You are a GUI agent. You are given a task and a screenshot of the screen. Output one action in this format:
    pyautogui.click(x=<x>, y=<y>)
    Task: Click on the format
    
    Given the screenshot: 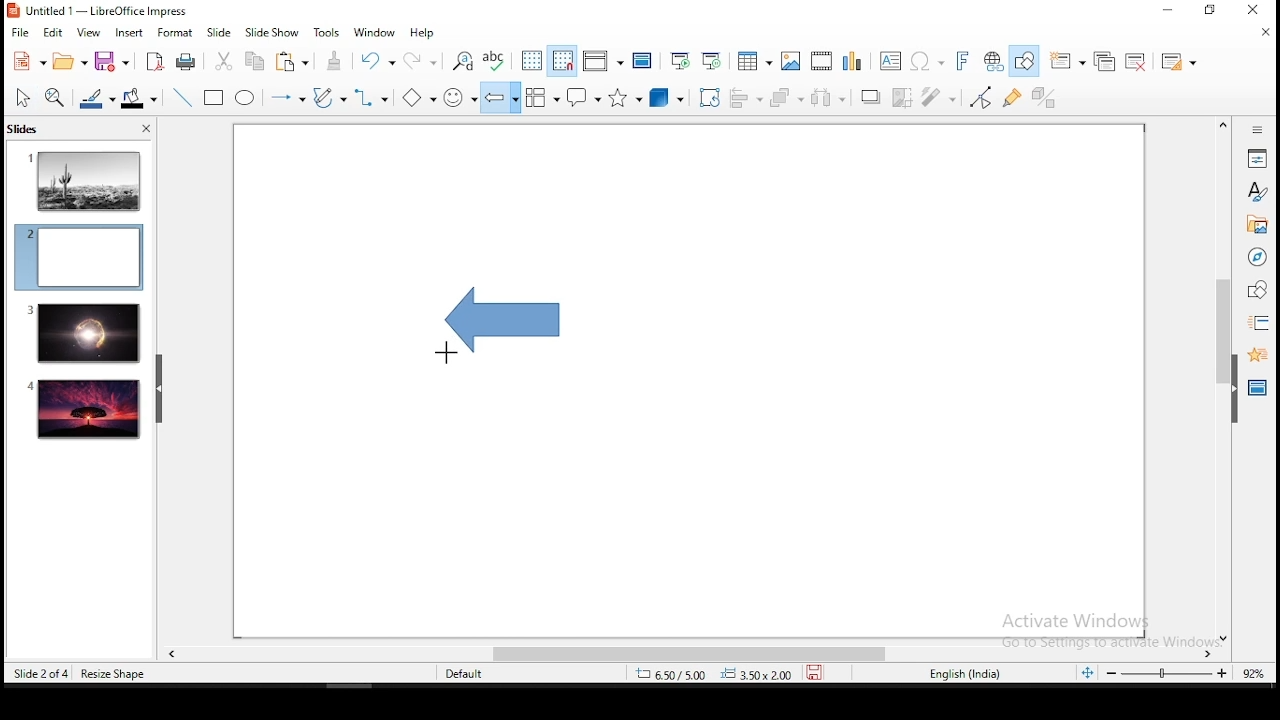 What is the action you would take?
    pyautogui.click(x=174, y=32)
    